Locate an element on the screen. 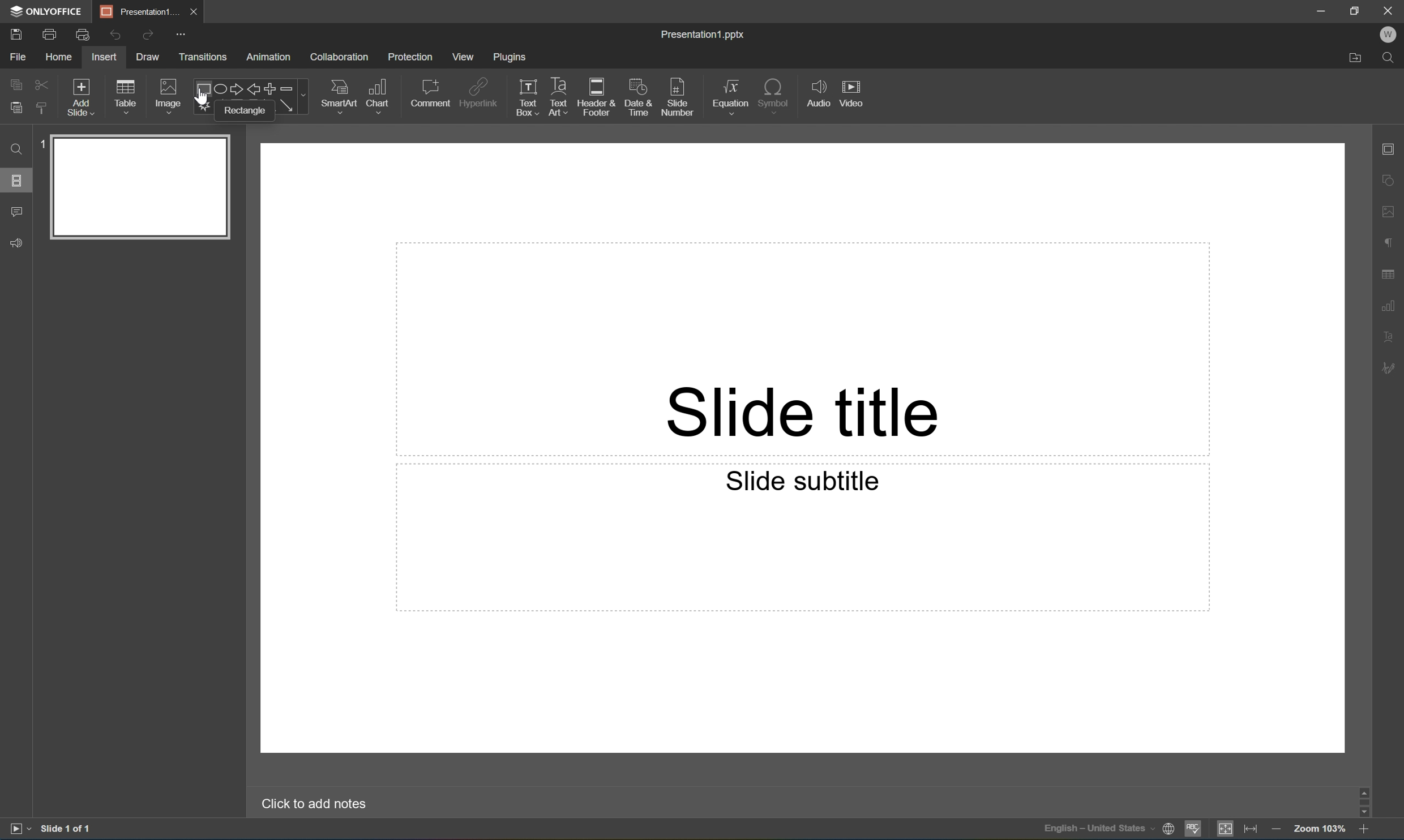 The height and width of the screenshot is (840, 1404). Chart is located at coordinates (376, 95).